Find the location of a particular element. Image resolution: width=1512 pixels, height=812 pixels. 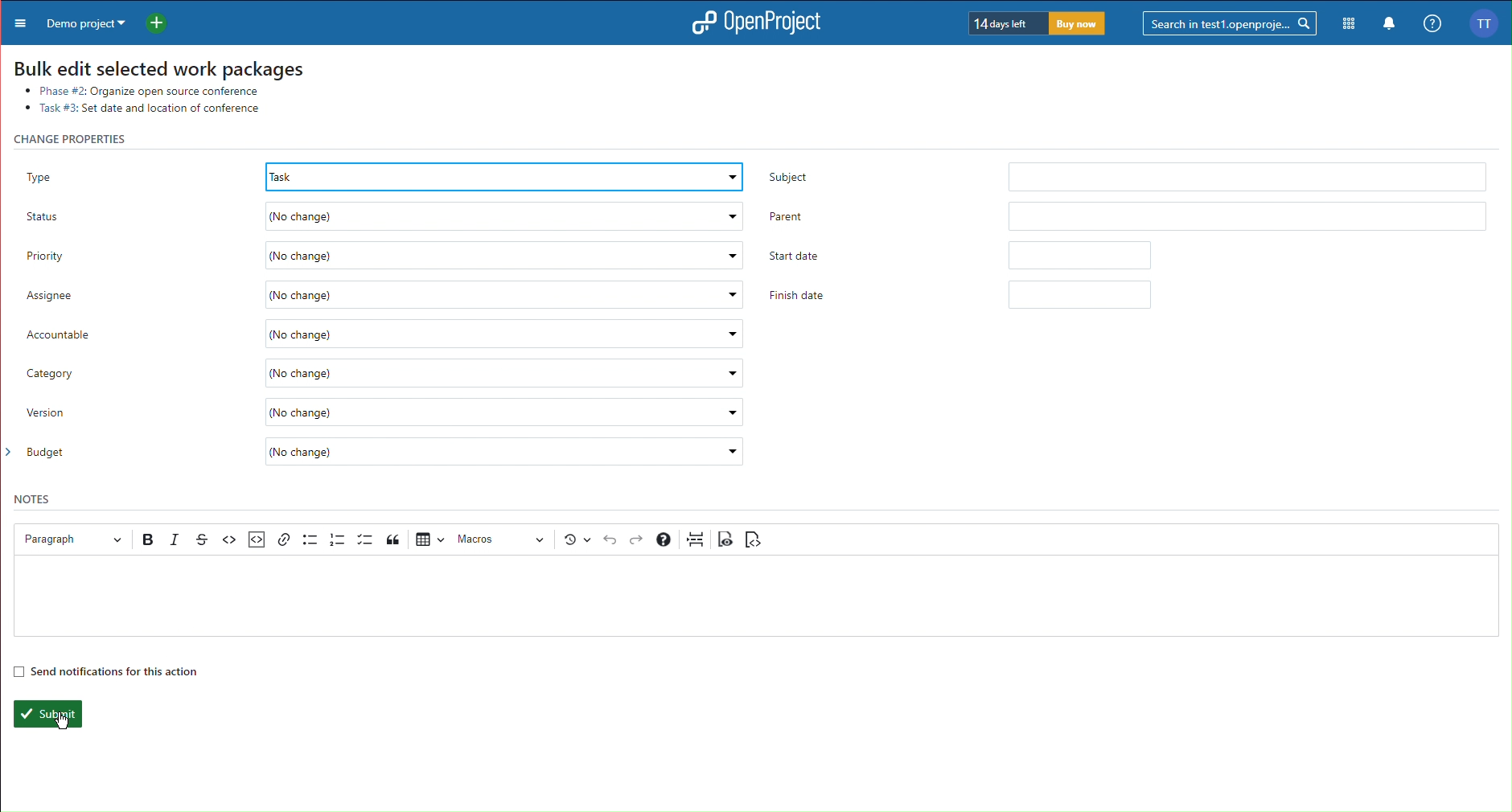

Italic is located at coordinates (176, 539).